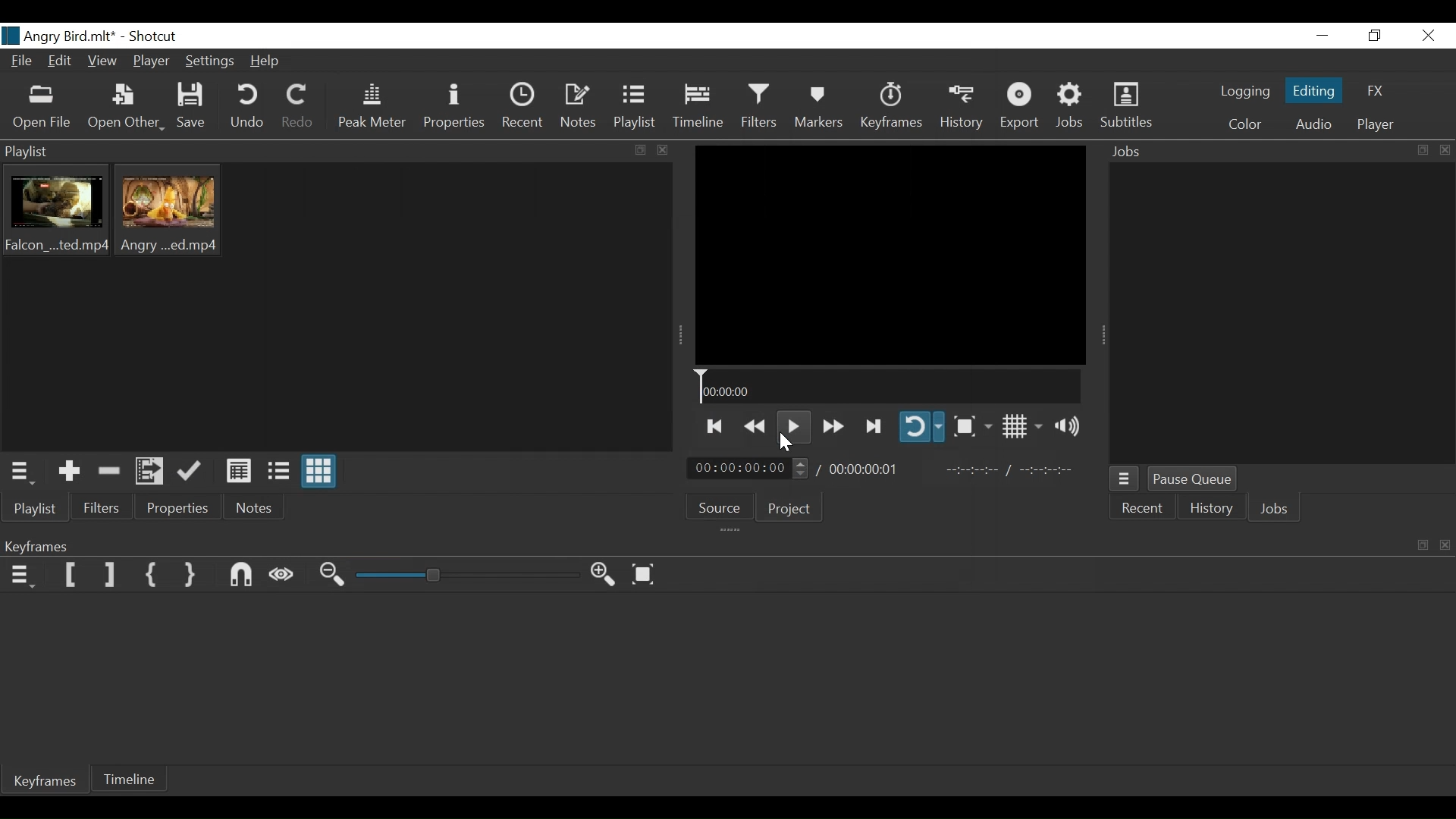 This screenshot has width=1456, height=819. What do you see at coordinates (1280, 312) in the screenshot?
I see `Jobs Panel` at bounding box center [1280, 312].